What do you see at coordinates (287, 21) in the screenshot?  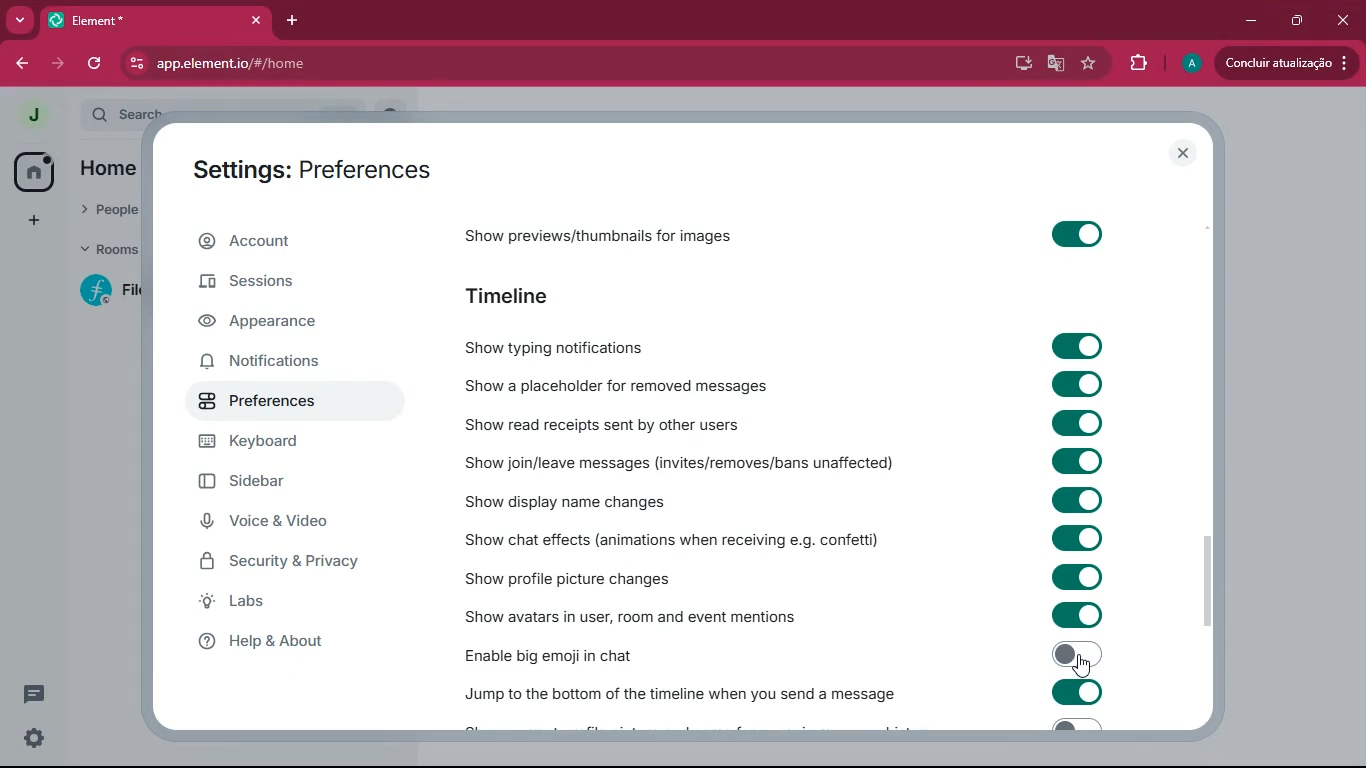 I see `add tab` at bounding box center [287, 21].